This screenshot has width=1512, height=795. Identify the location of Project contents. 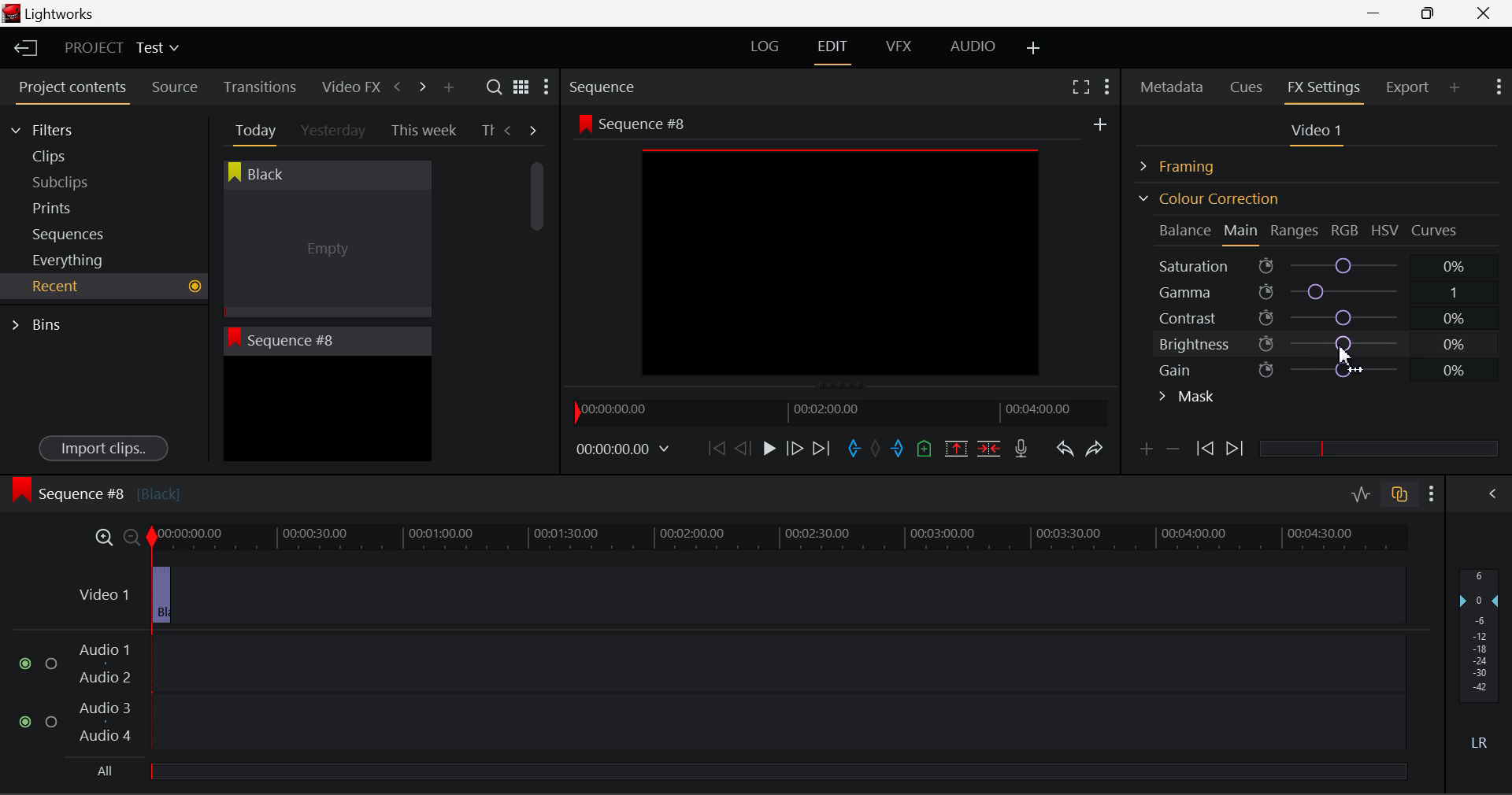
(72, 91).